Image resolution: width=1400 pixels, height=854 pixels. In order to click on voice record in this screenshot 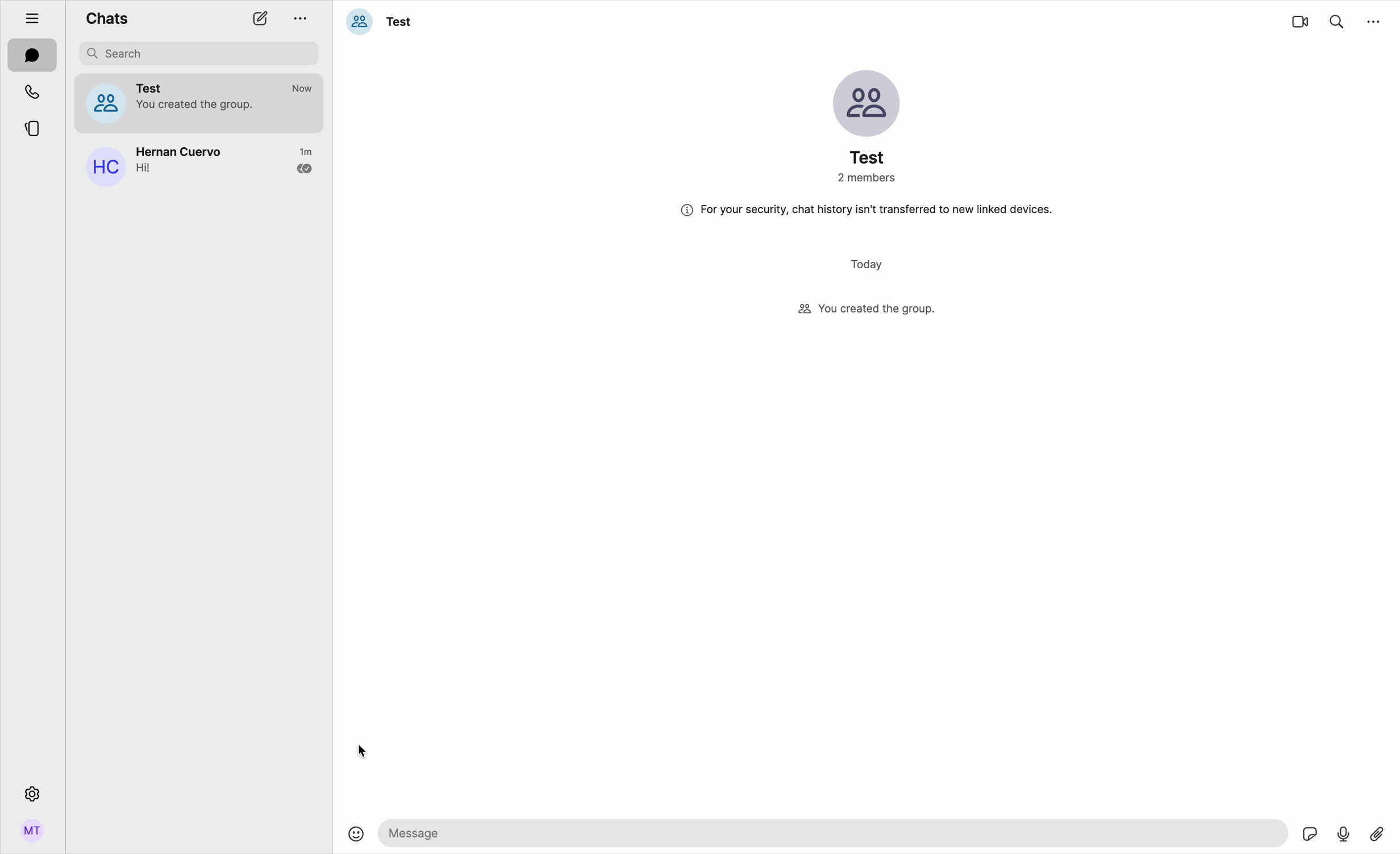, I will do `click(1344, 832)`.